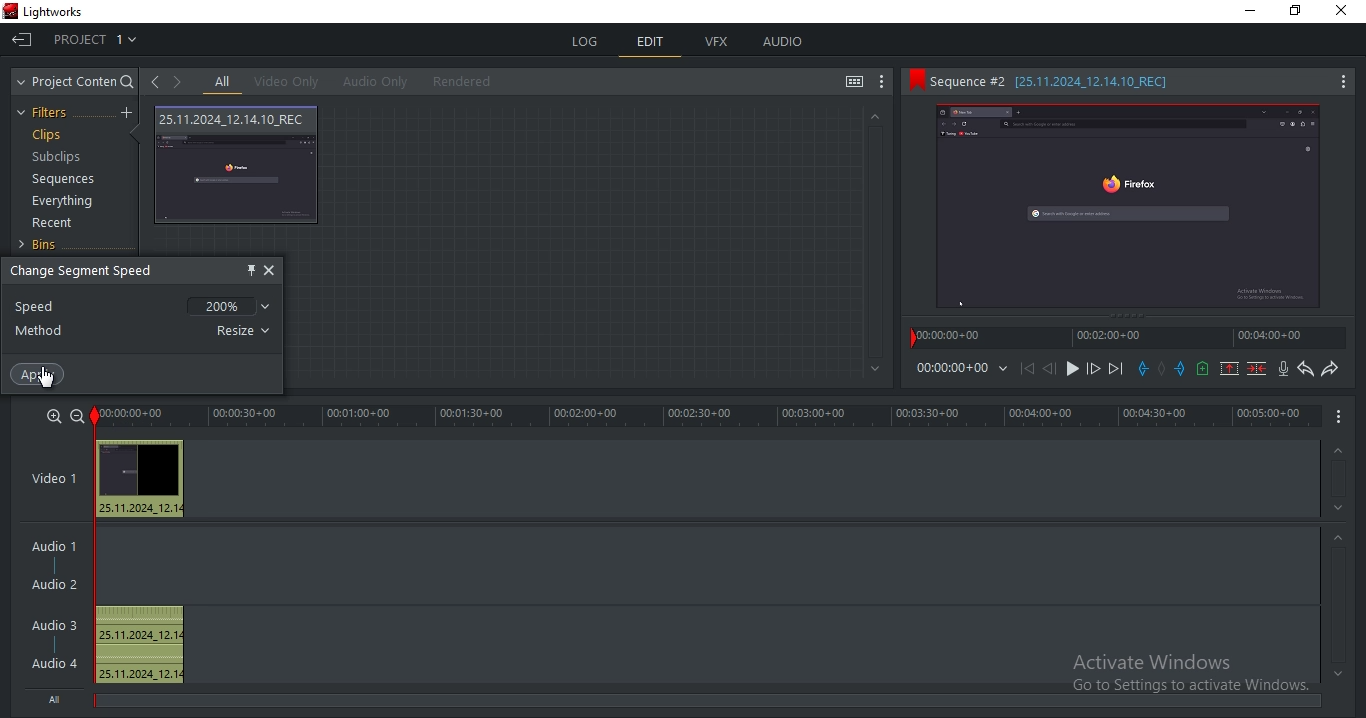  Describe the element at coordinates (155, 82) in the screenshot. I see `open previous clip` at that location.